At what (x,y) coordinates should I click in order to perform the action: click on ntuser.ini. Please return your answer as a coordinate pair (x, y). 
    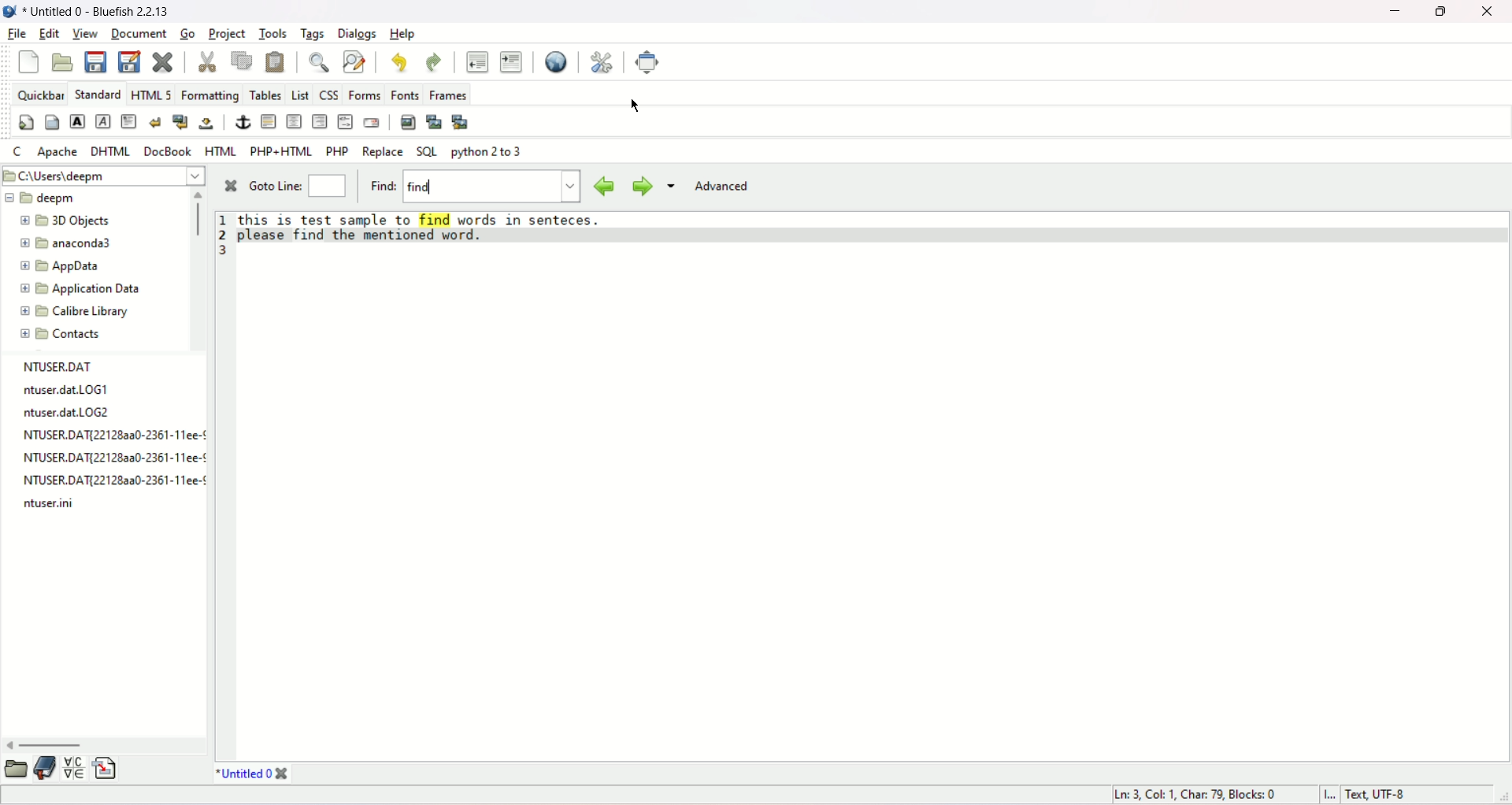
    Looking at the image, I should click on (52, 507).